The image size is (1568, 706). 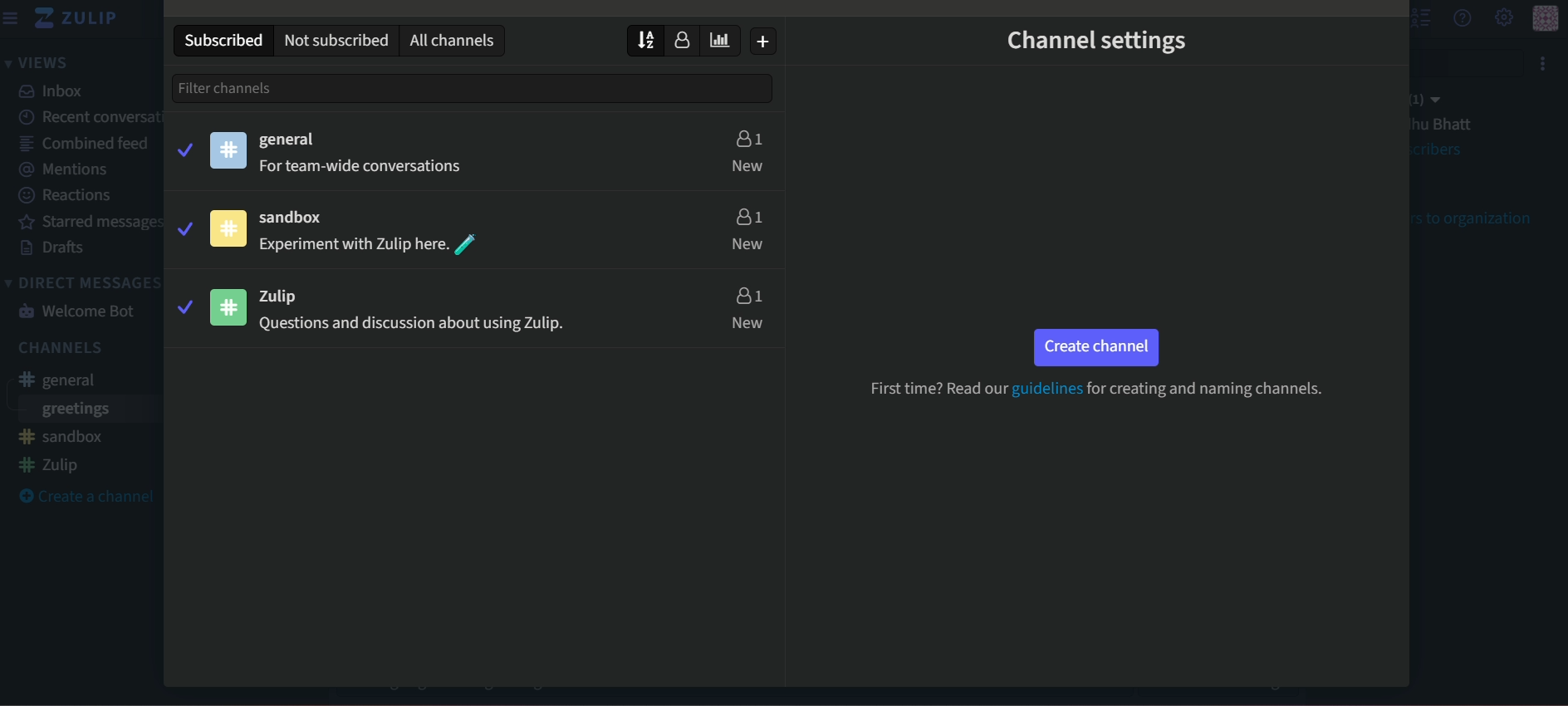 What do you see at coordinates (225, 41) in the screenshot?
I see `subscribed` at bounding box center [225, 41].